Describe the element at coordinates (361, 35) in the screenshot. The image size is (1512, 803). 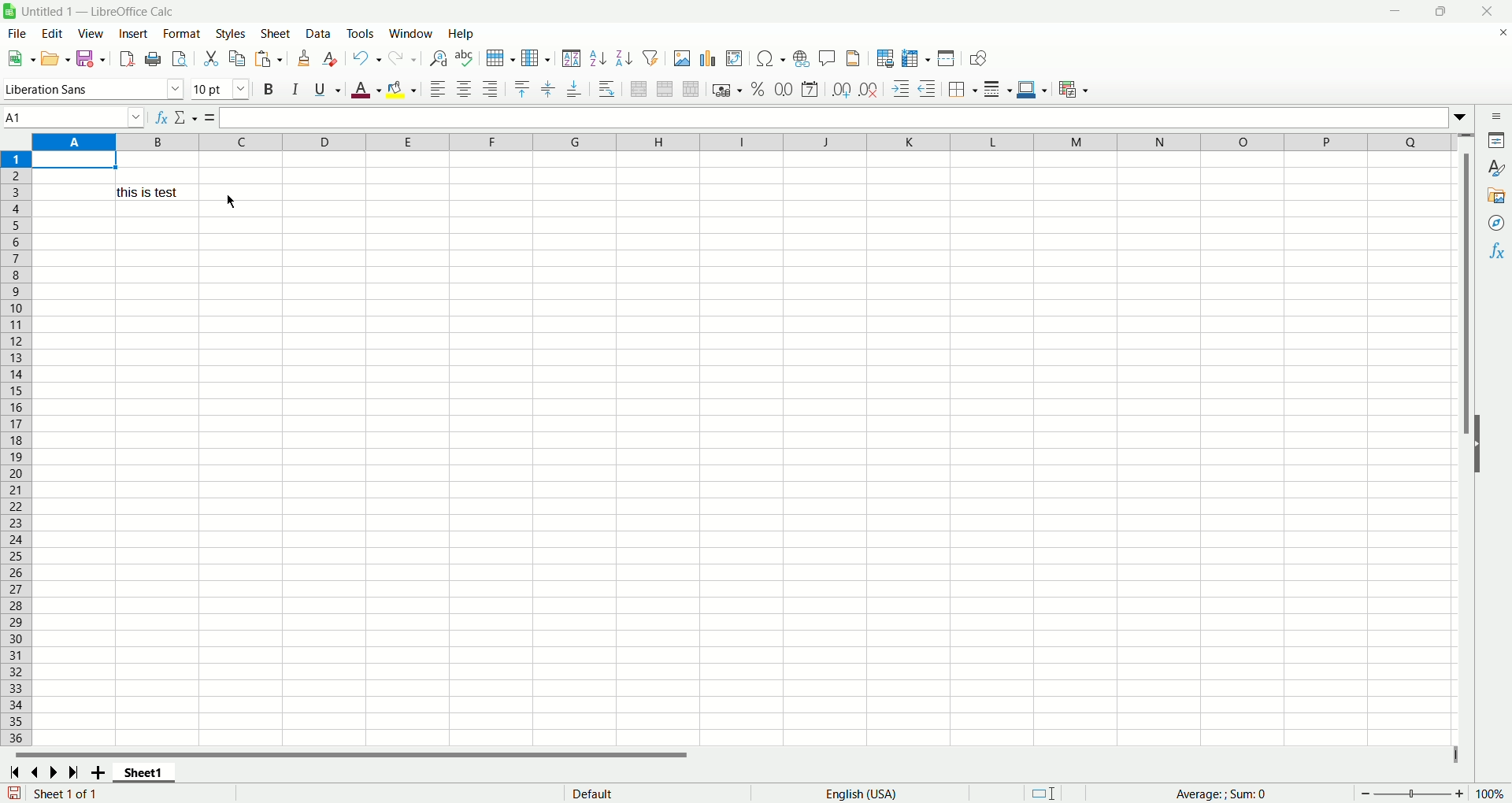
I see `tools` at that location.